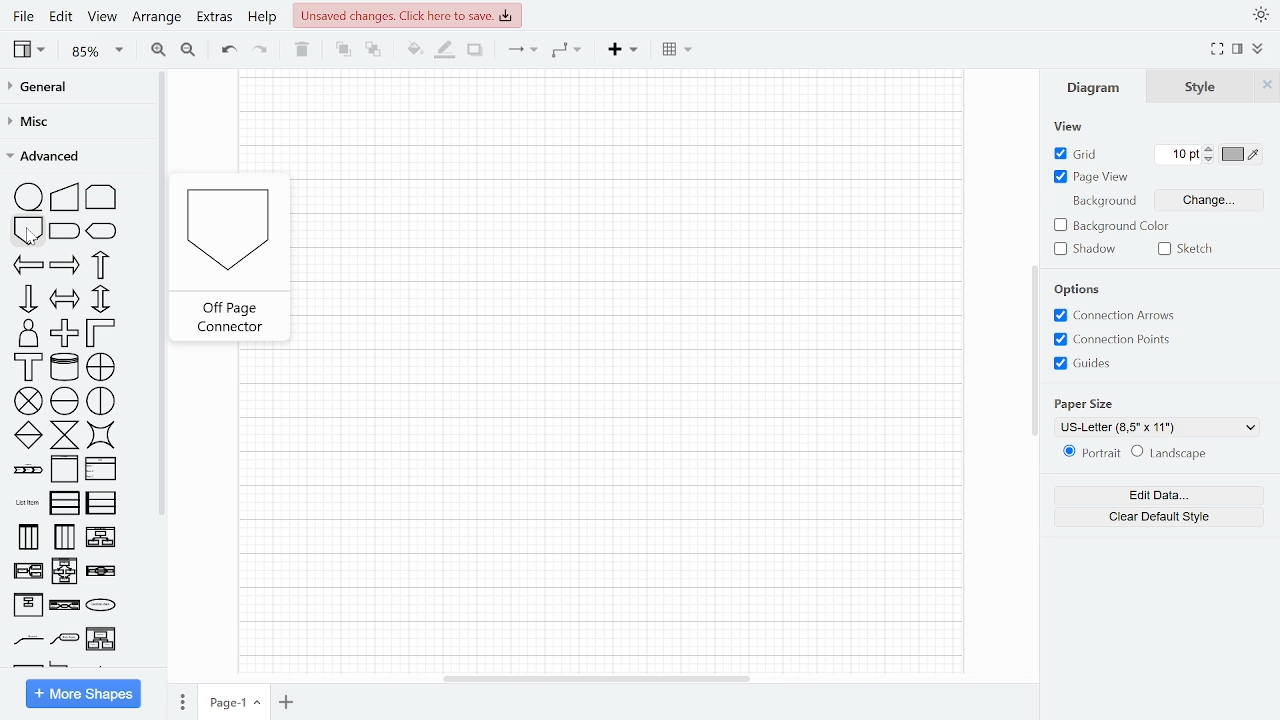 This screenshot has height=720, width=1280. What do you see at coordinates (1075, 156) in the screenshot?
I see `Grid` at bounding box center [1075, 156].